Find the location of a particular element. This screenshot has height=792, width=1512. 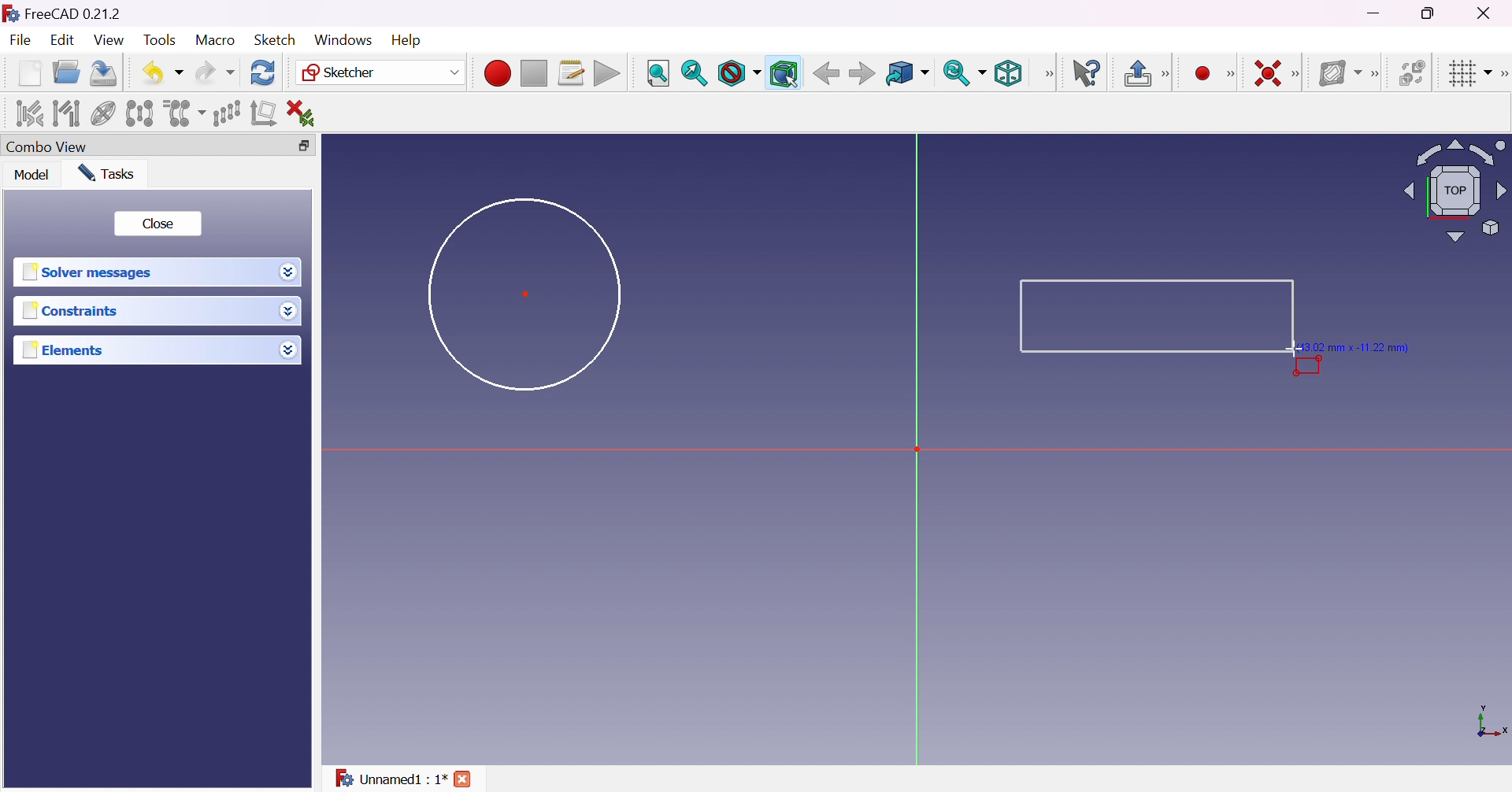

Go to linked object is located at coordinates (906, 74).